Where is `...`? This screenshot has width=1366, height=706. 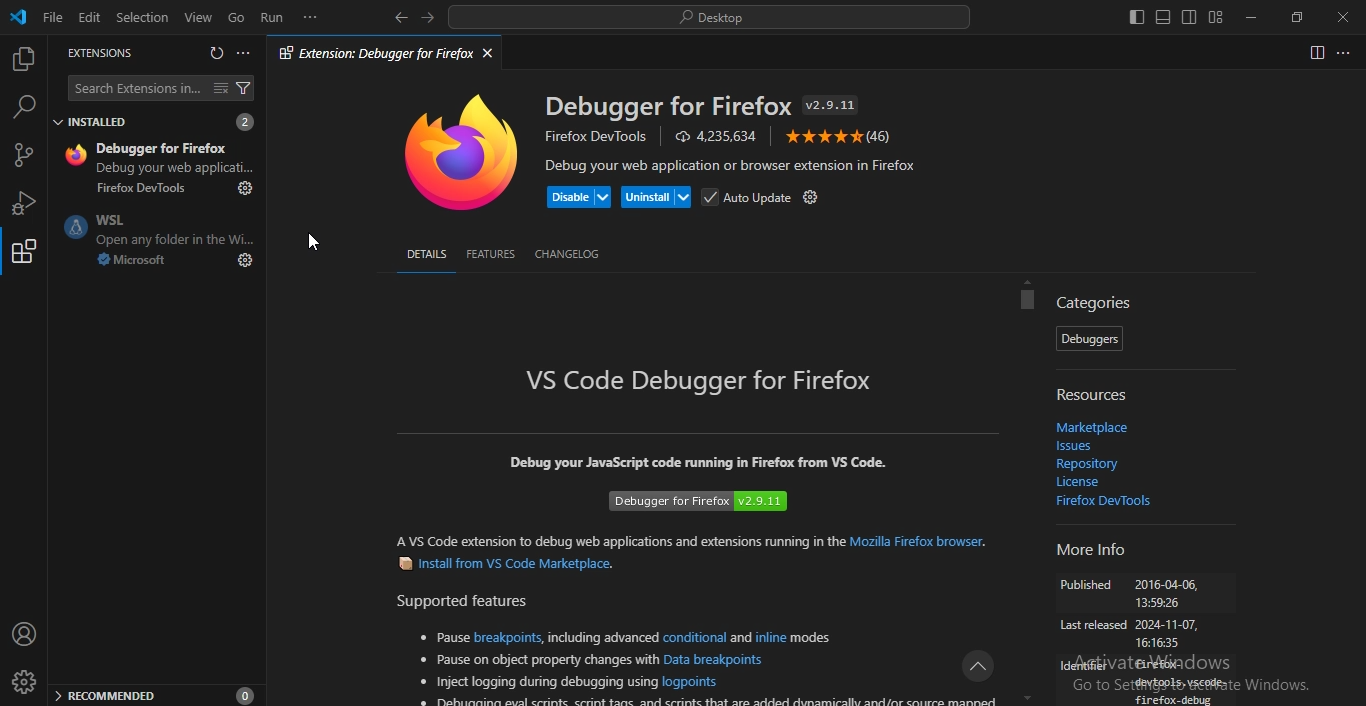 ... is located at coordinates (309, 18).